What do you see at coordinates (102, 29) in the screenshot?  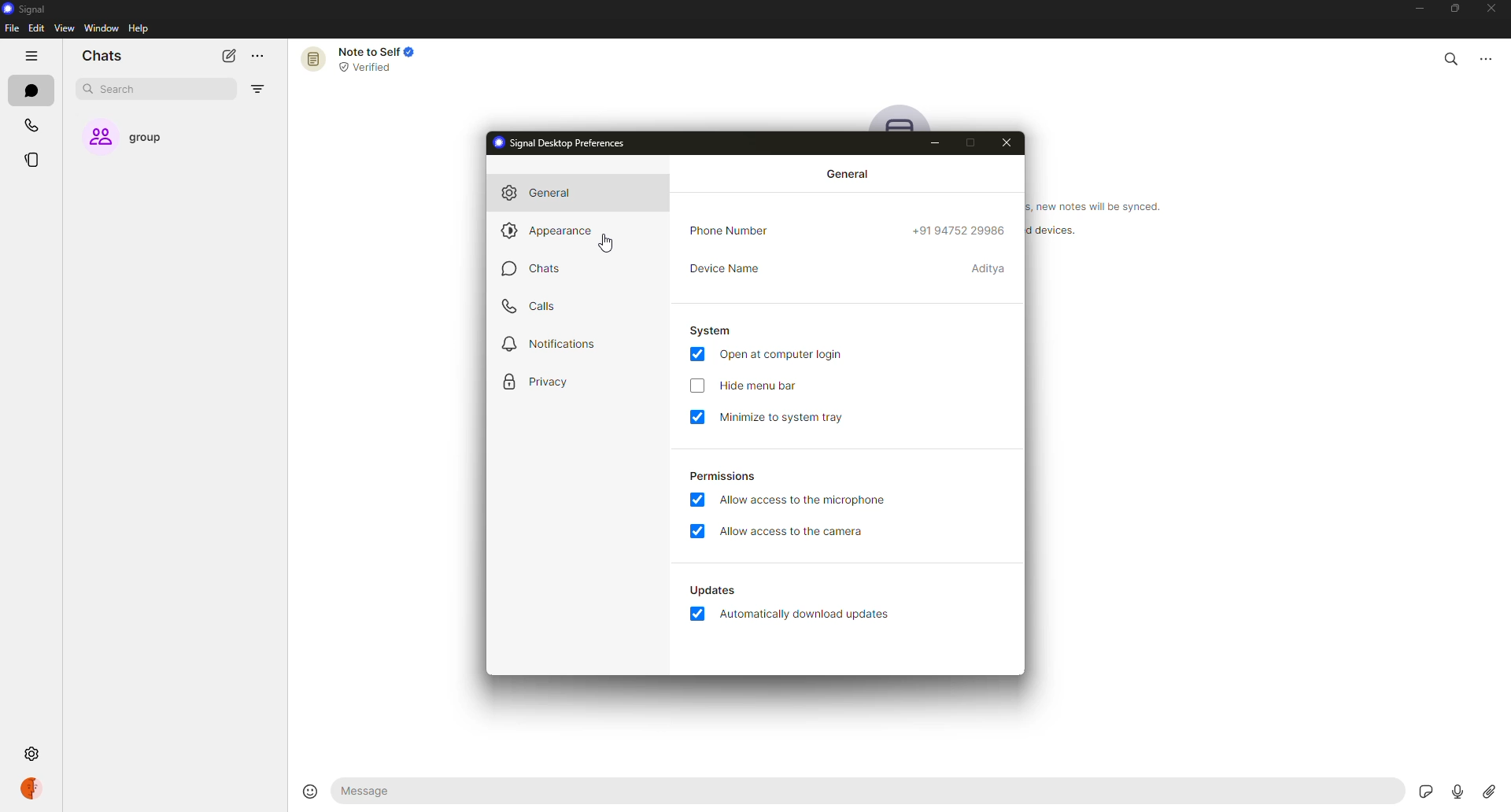 I see `window` at bounding box center [102, 29].